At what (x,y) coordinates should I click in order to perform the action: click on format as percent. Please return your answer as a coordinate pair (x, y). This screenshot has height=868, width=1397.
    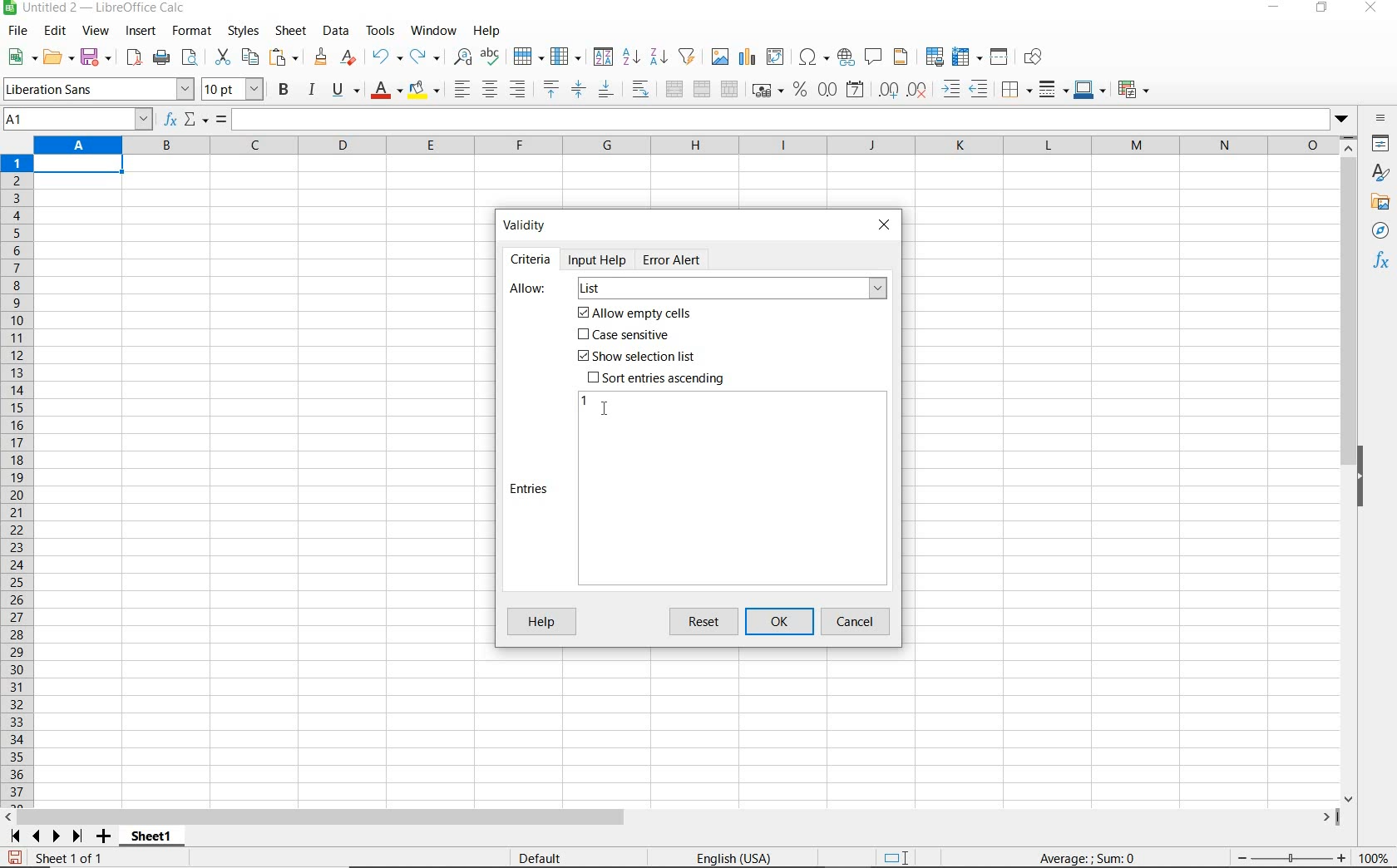
    Looking at the image, I should click on (800, 90).